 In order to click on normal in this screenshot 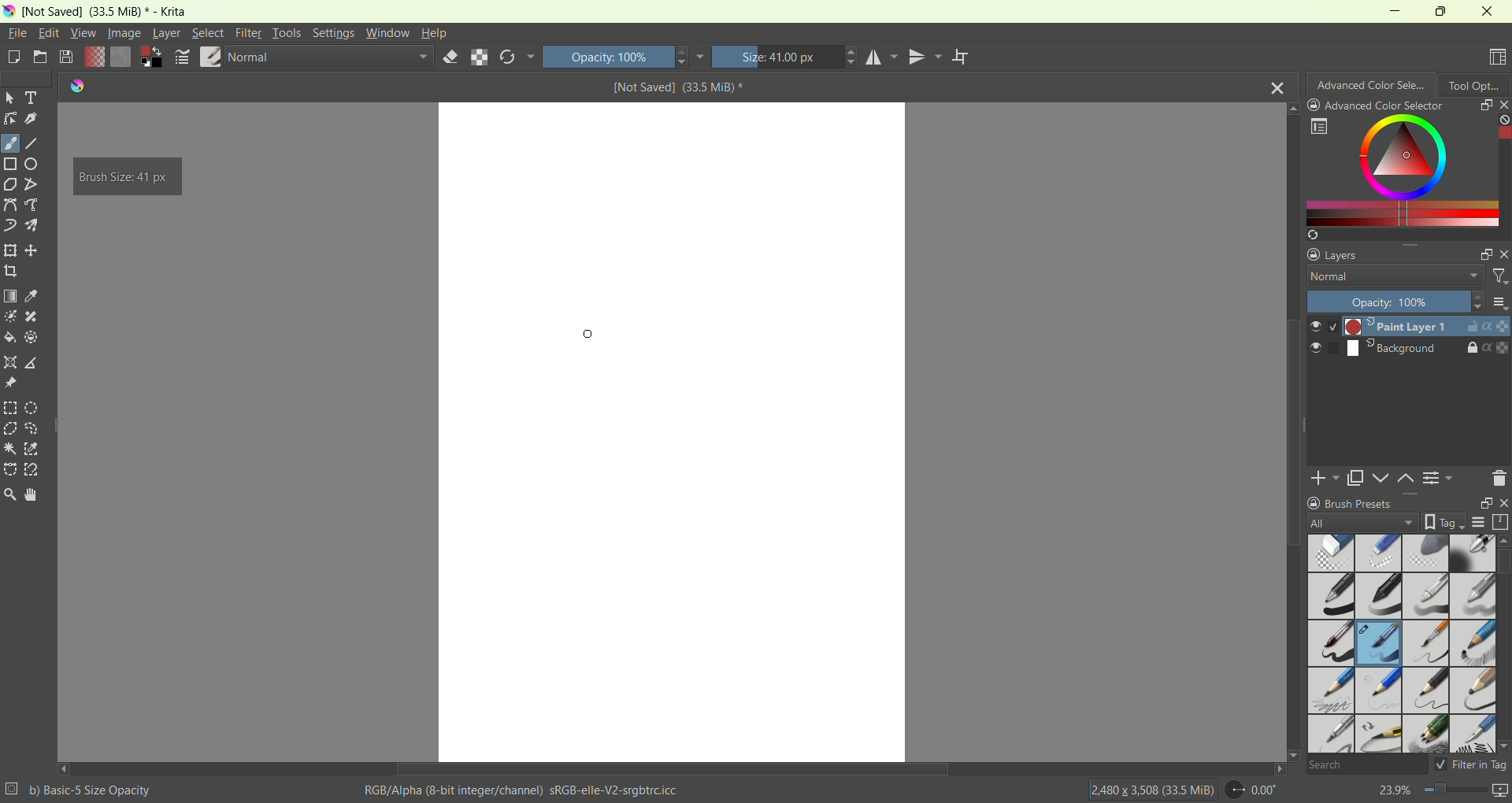, I will do `click(1390, 278)`.